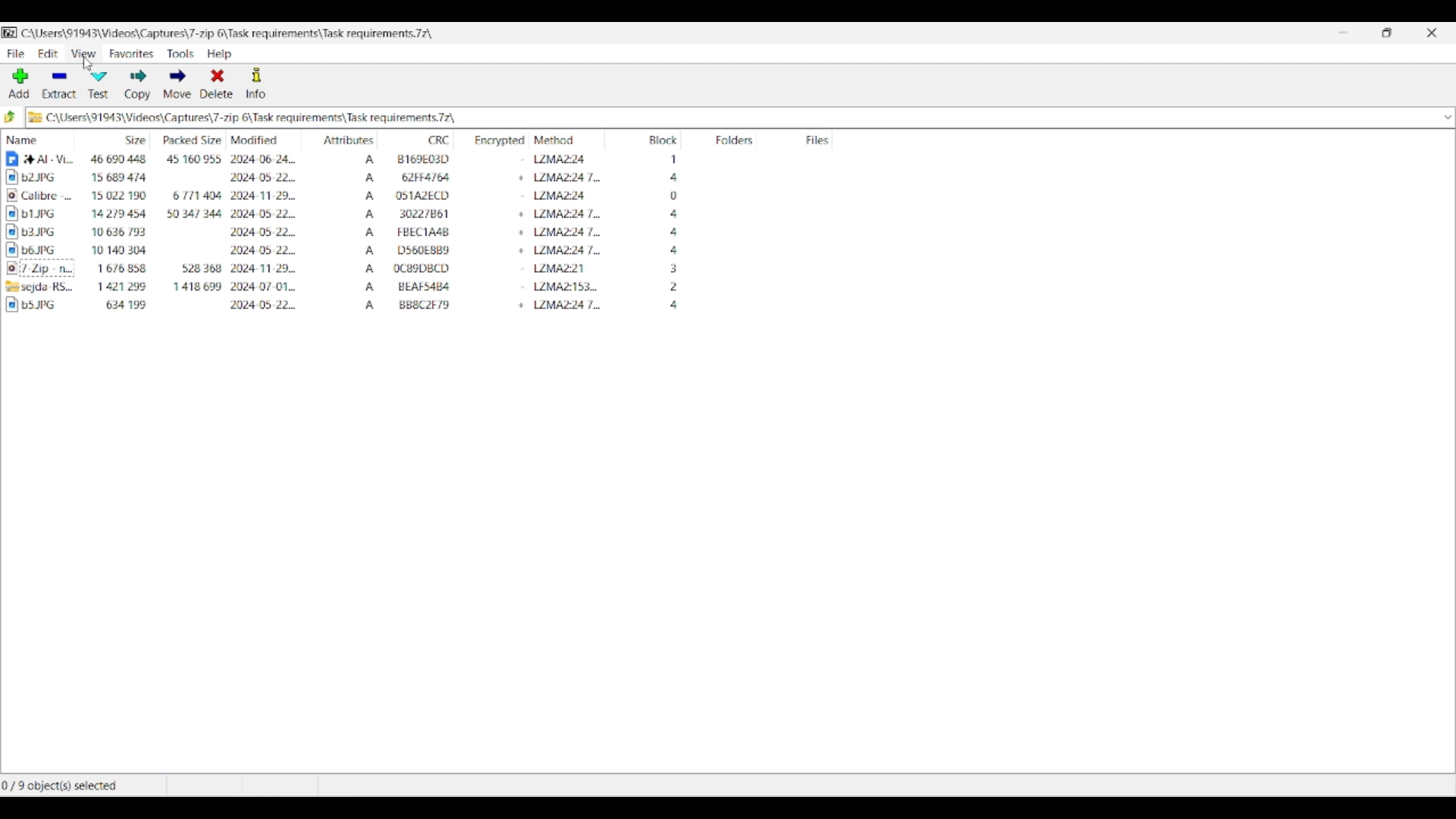 The width and height of the screenshot is (1456, 819). Describe the element at coordinates (416, 139) in the screenshot. I see `CRC column` at that location.